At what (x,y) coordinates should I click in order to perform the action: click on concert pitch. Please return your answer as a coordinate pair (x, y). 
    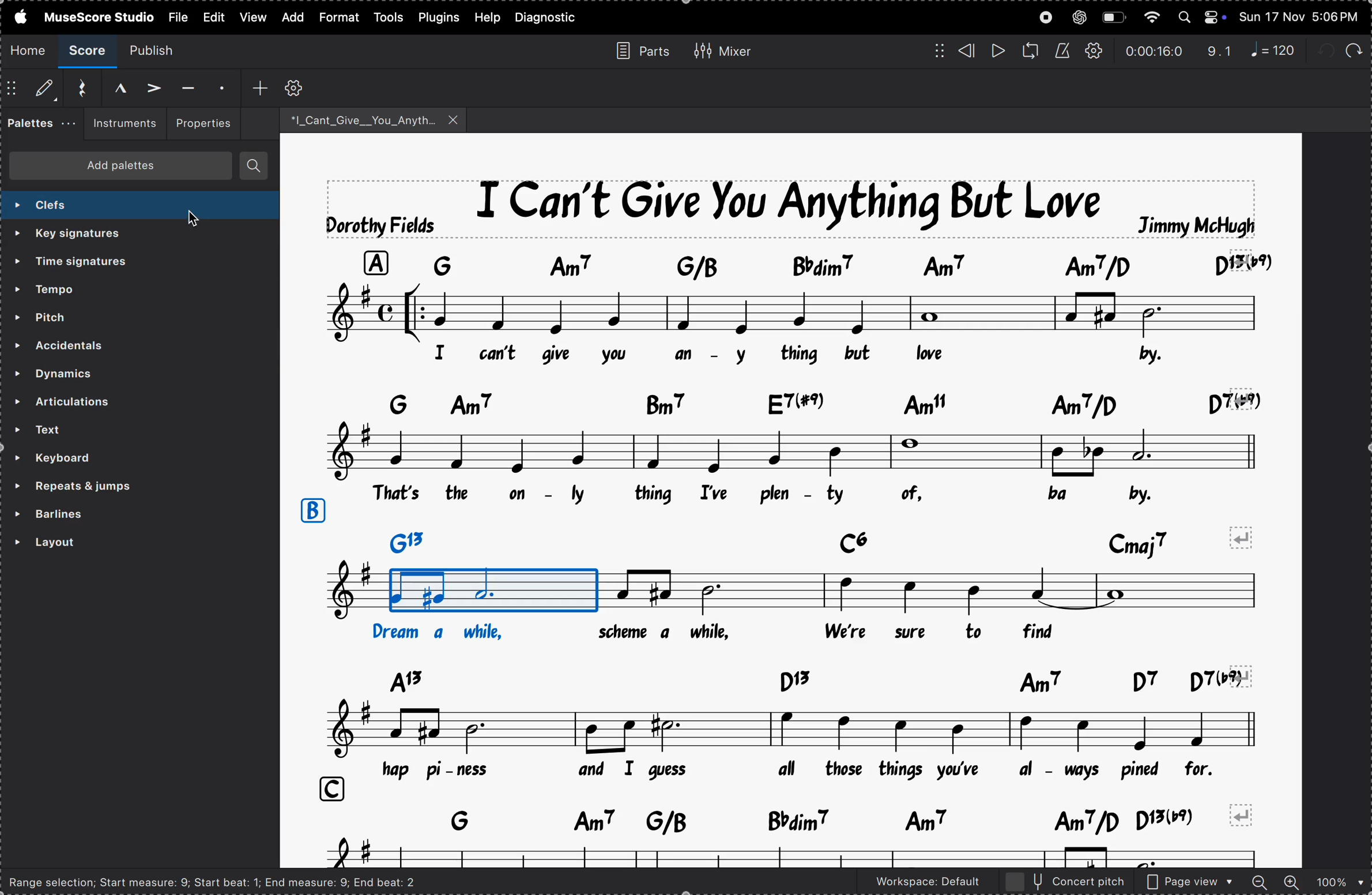
    Looking at the image, I should click on (1066, 882).